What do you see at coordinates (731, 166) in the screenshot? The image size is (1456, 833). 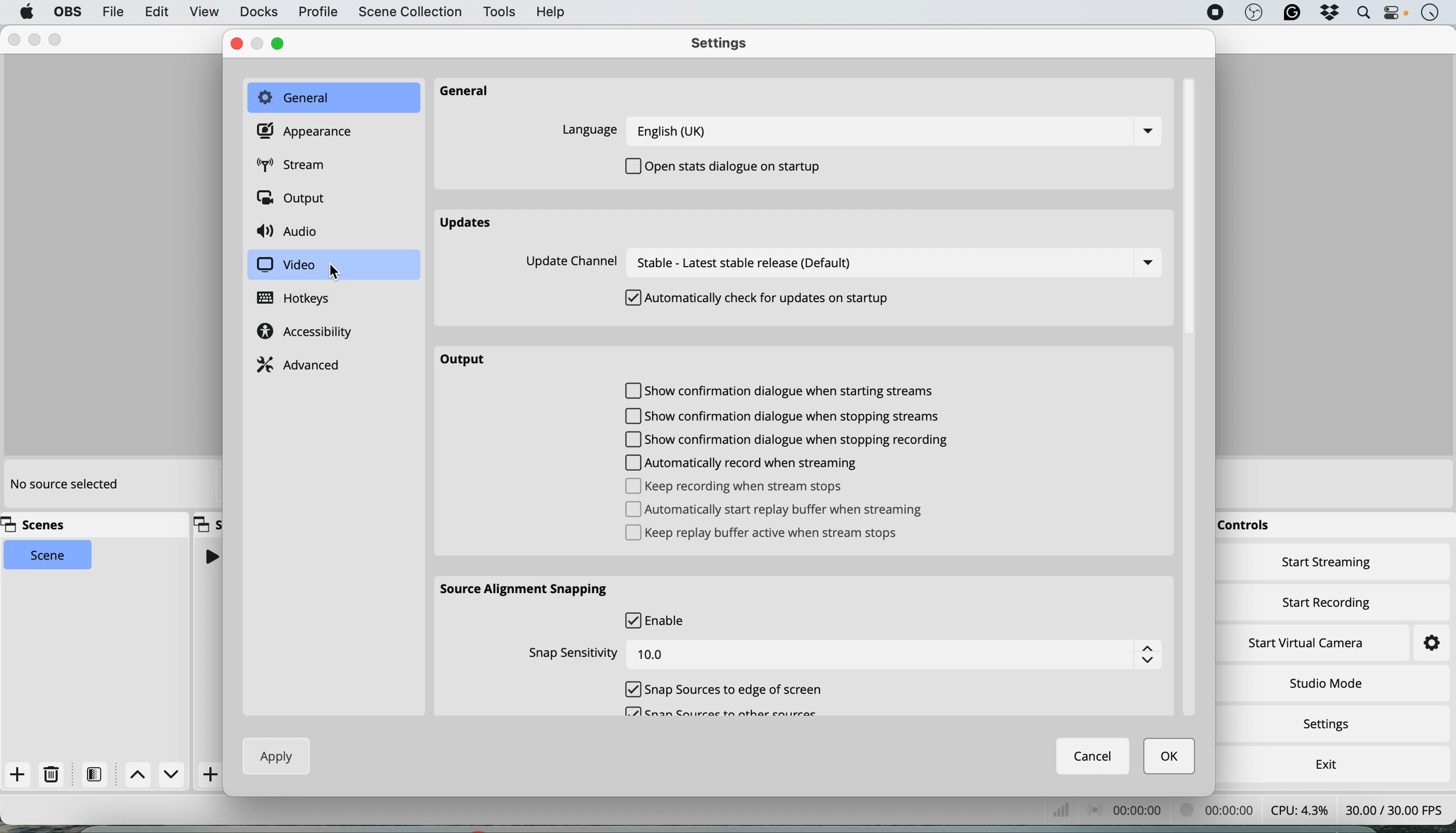 I see `open stats dialogue on openup` at bounding box center [731, 166].